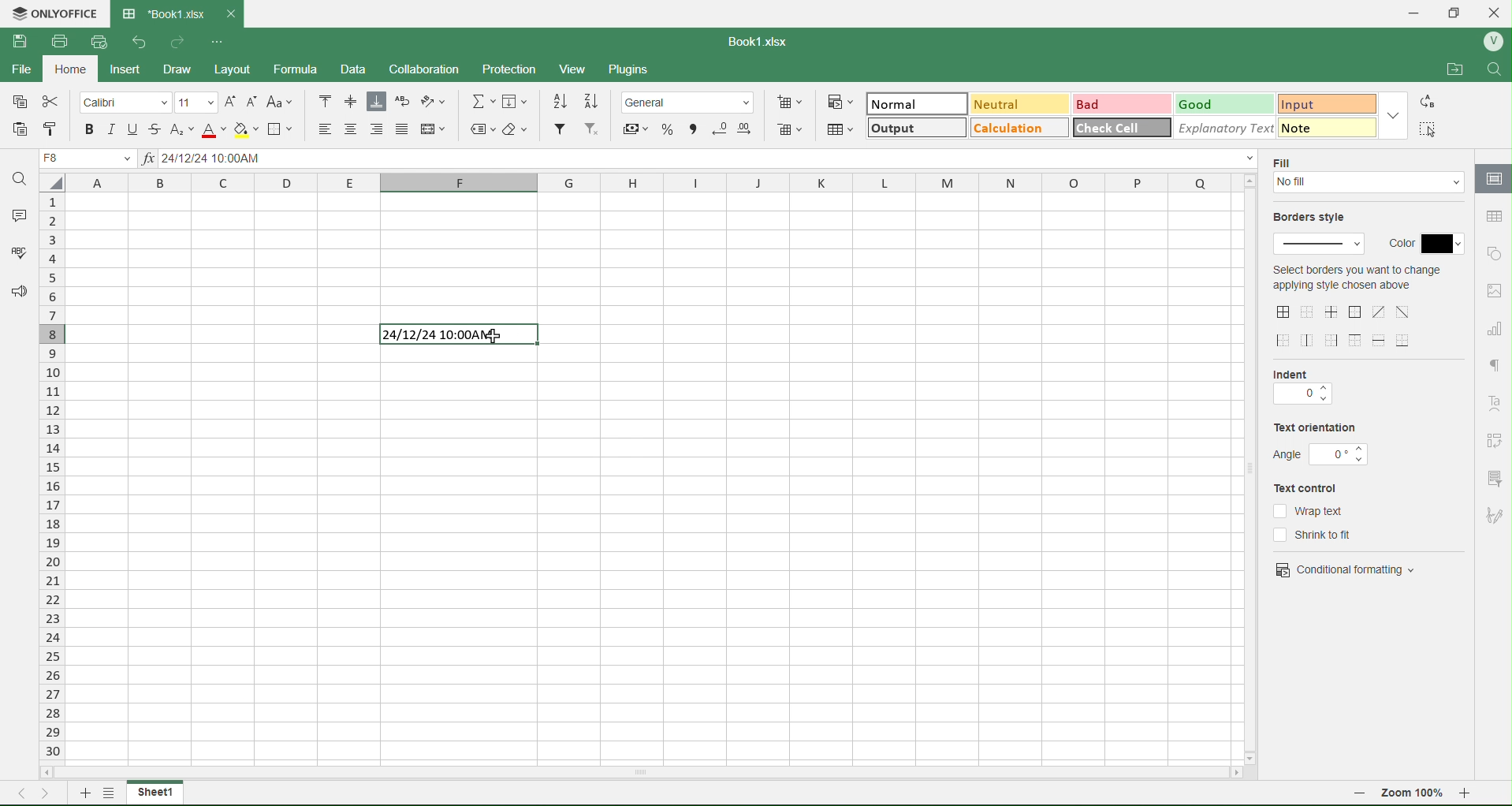 The image size is (1512, 806). What do you see at coordinates (326, 100) in the screenshot?
I see `Align Top` at bounding box center [326, 100].